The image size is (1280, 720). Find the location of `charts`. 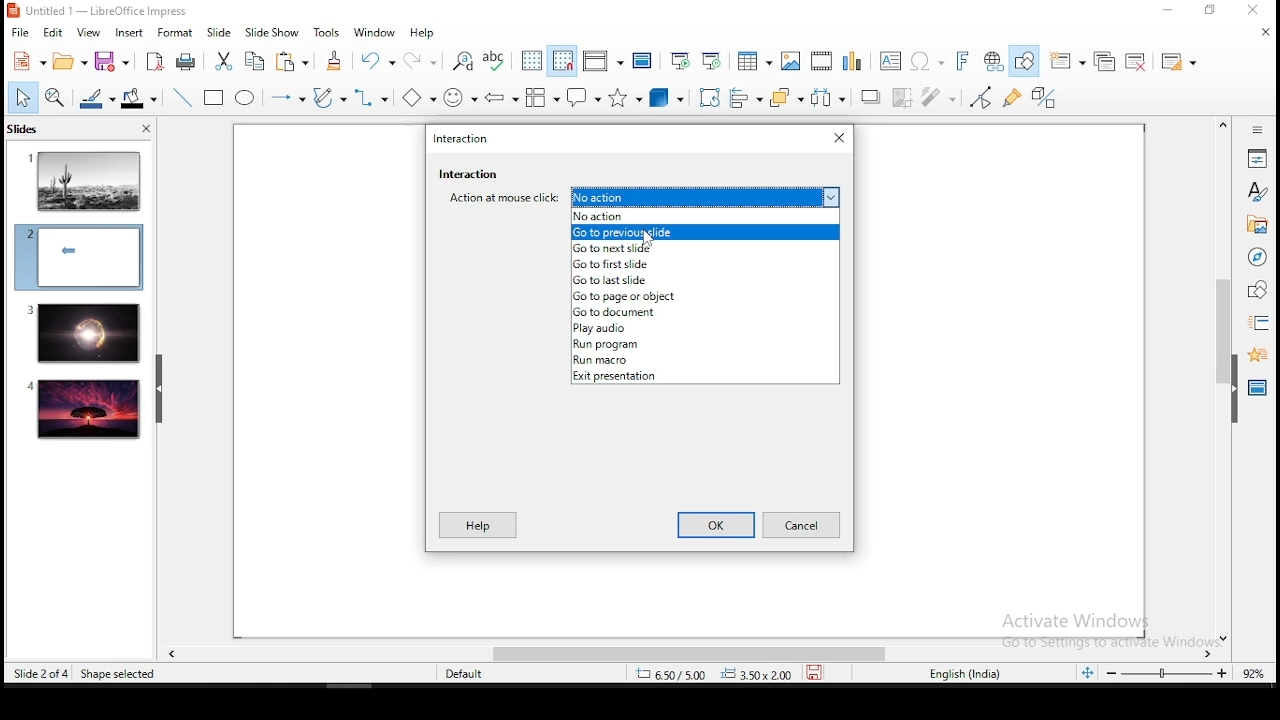

charts is located at coordinates (852, 61).